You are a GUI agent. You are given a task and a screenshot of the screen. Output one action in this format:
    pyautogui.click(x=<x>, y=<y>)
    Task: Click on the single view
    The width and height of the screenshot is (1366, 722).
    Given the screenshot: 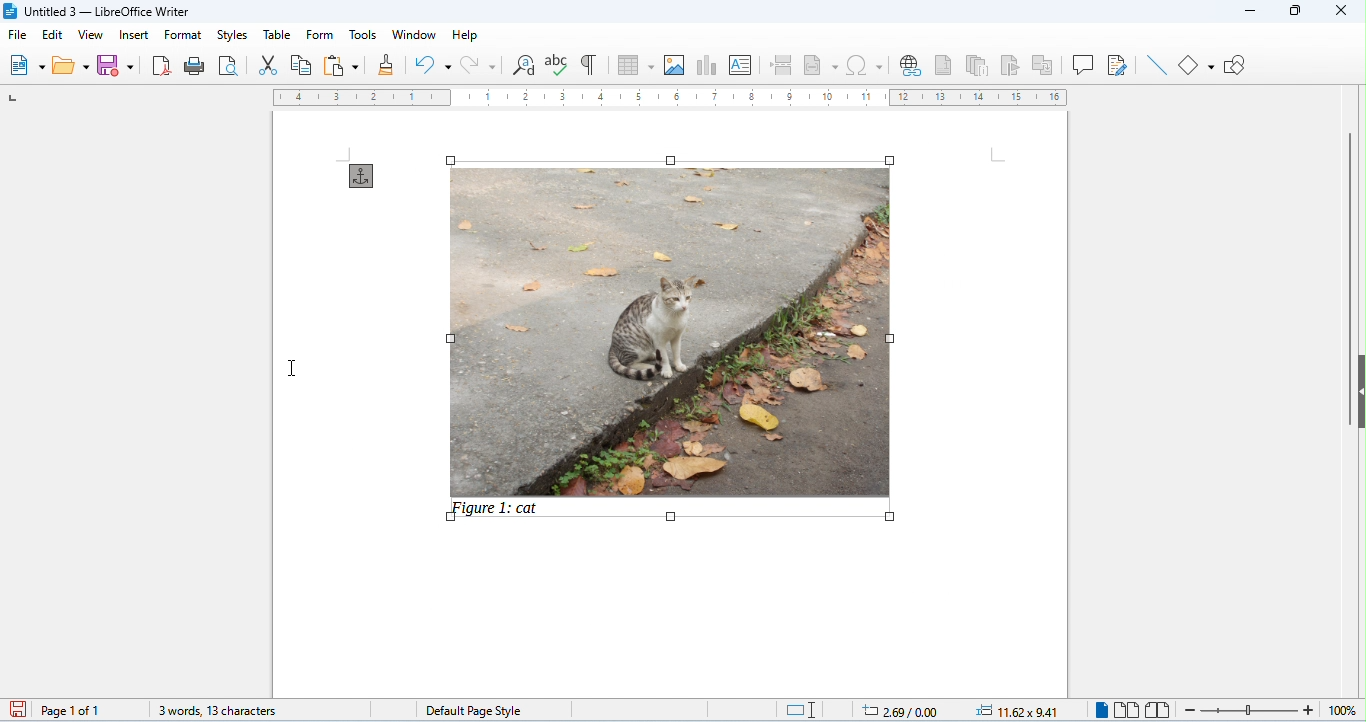 What is the action you would take?
    pyautogui.click(x=1099, y=710)
    